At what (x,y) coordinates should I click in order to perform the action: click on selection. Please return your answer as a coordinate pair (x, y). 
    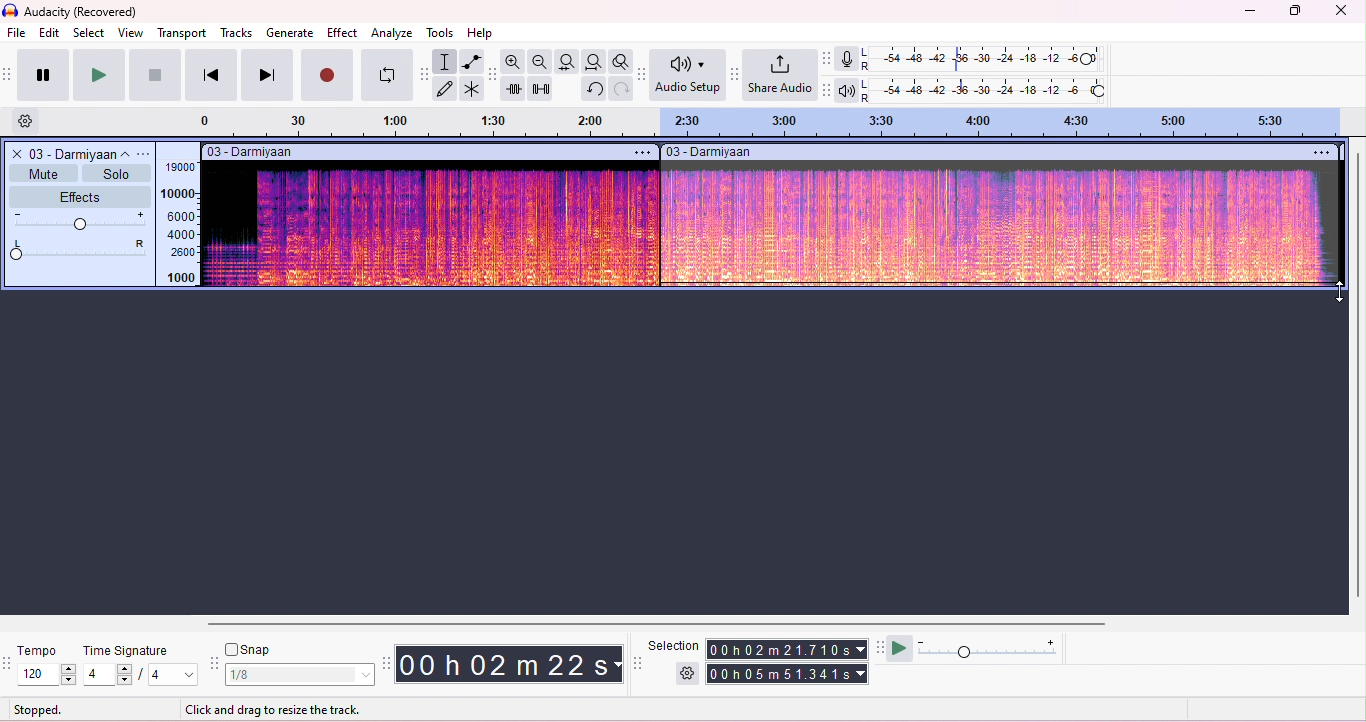
    Looking at the image, I should click on (674, 646).